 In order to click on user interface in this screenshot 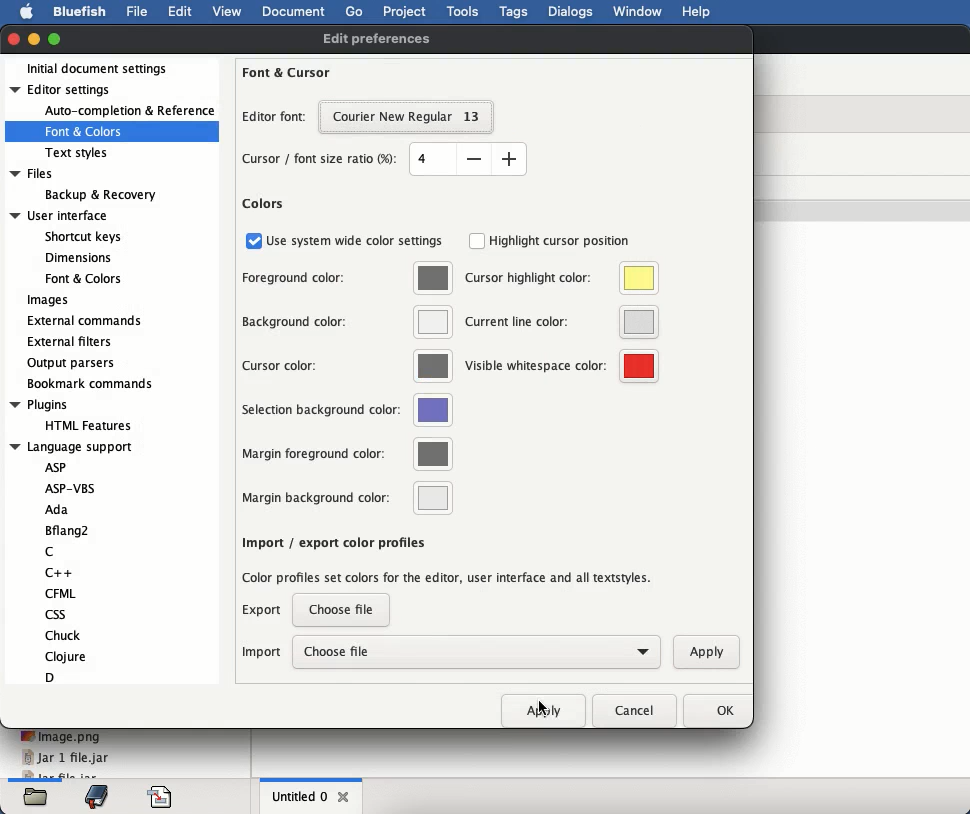, I will do `click(69, 248)`.